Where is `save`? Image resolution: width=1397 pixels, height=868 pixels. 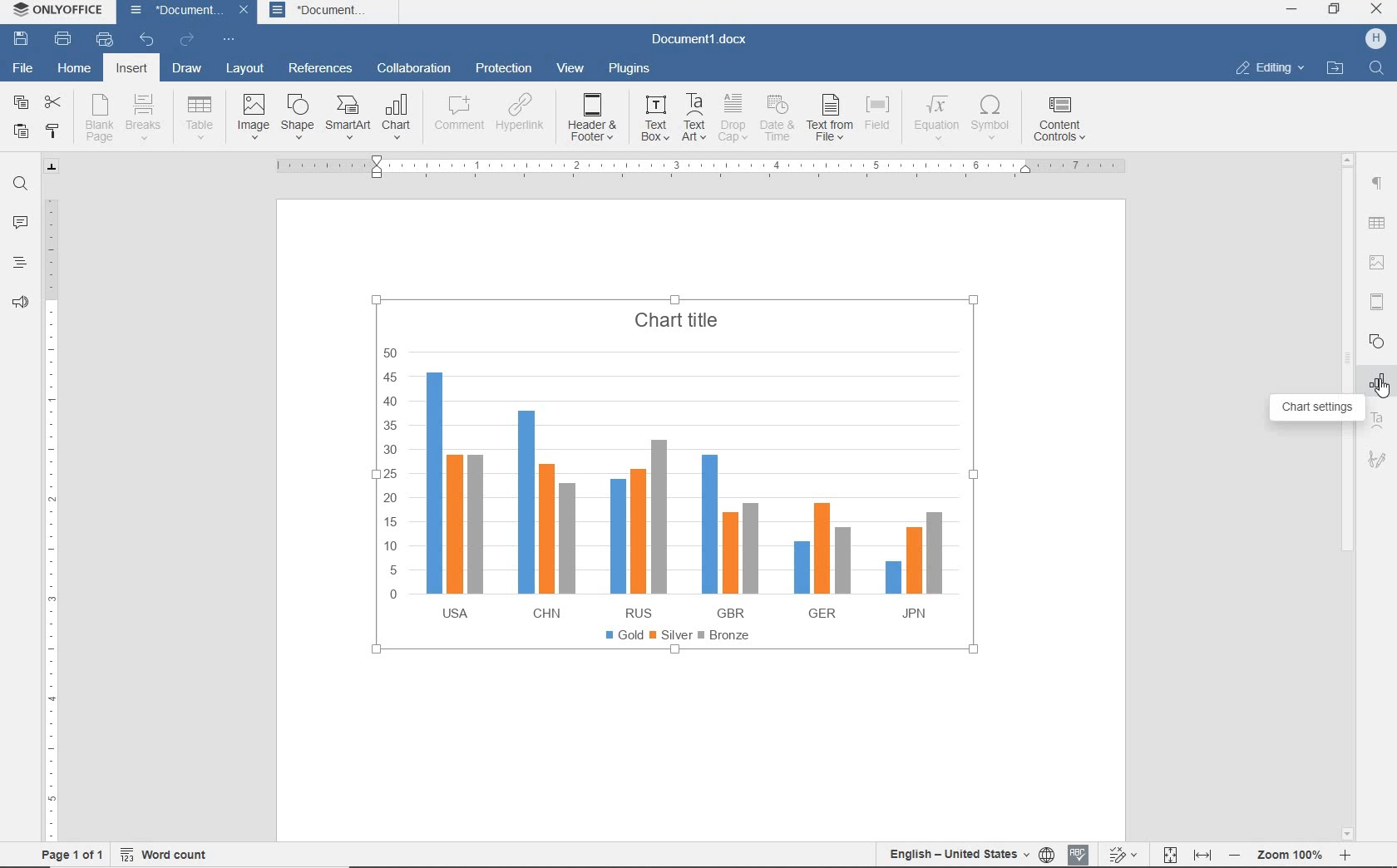 save is located at coordinates (22, 40).